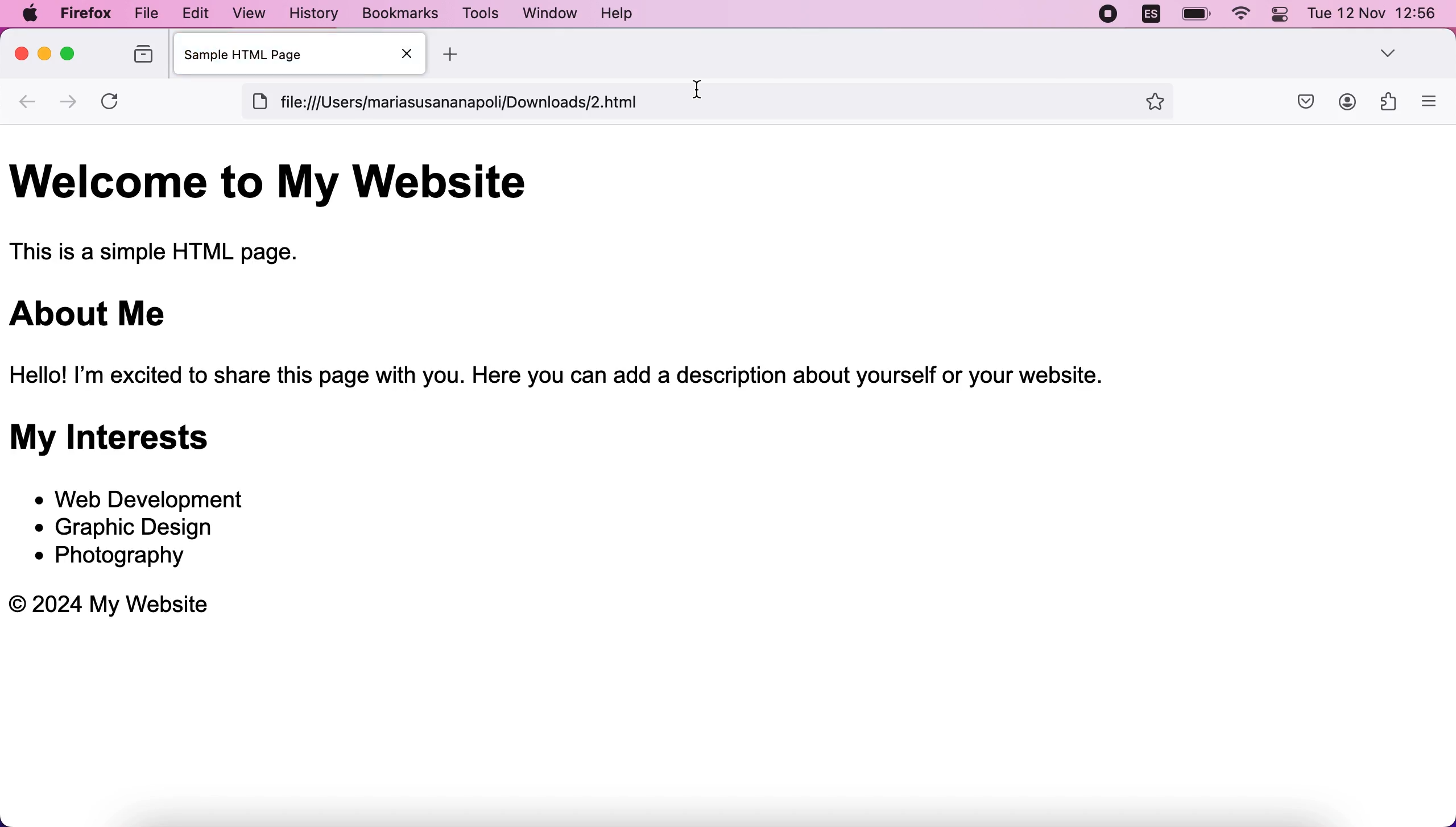 The height and width of the screenshot is (827, 1456). Describe the element at coordinates (660, 405) in the screenshot. I see `This is an HTML page where it can be considered as a portfolio template where the user showcases their interests and welcomes the audience ` at that location.